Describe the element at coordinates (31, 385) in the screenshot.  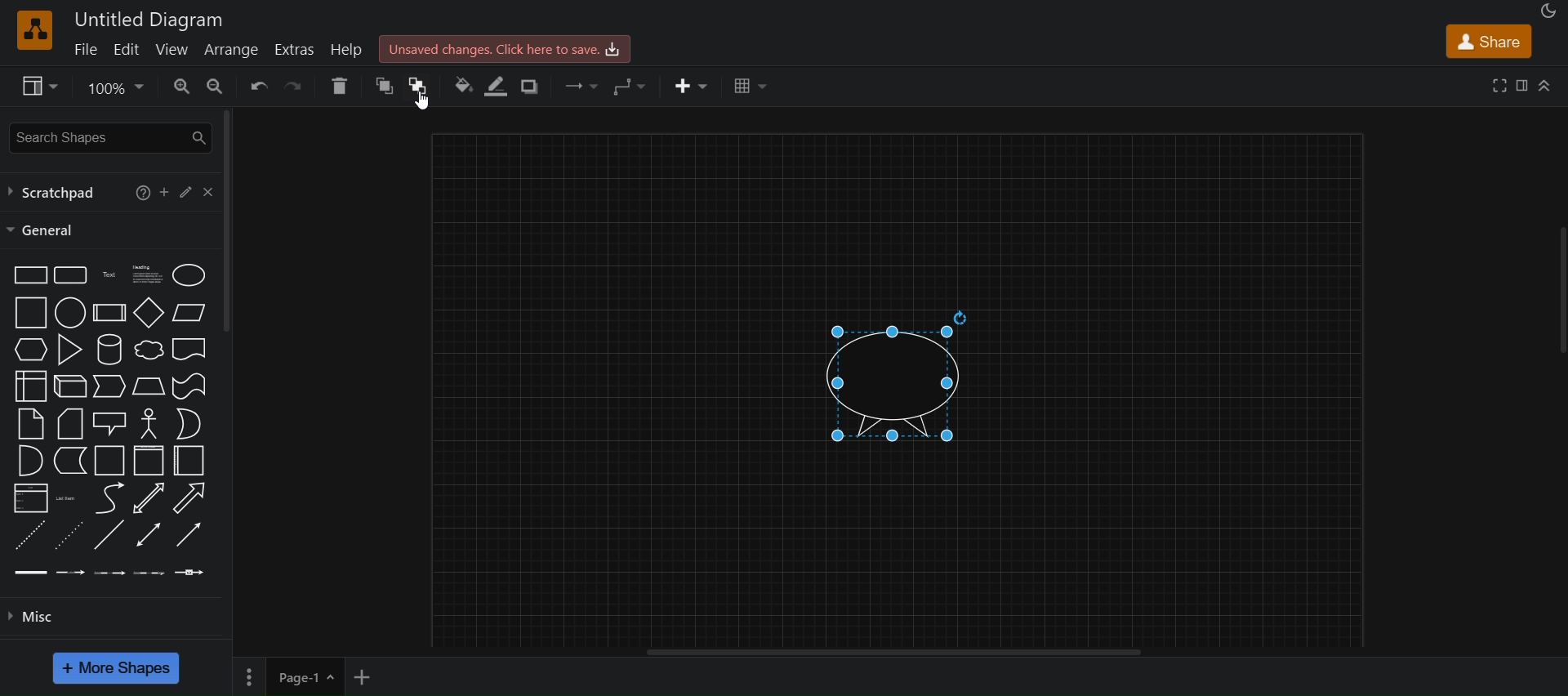
I see `internal storage` at that location.